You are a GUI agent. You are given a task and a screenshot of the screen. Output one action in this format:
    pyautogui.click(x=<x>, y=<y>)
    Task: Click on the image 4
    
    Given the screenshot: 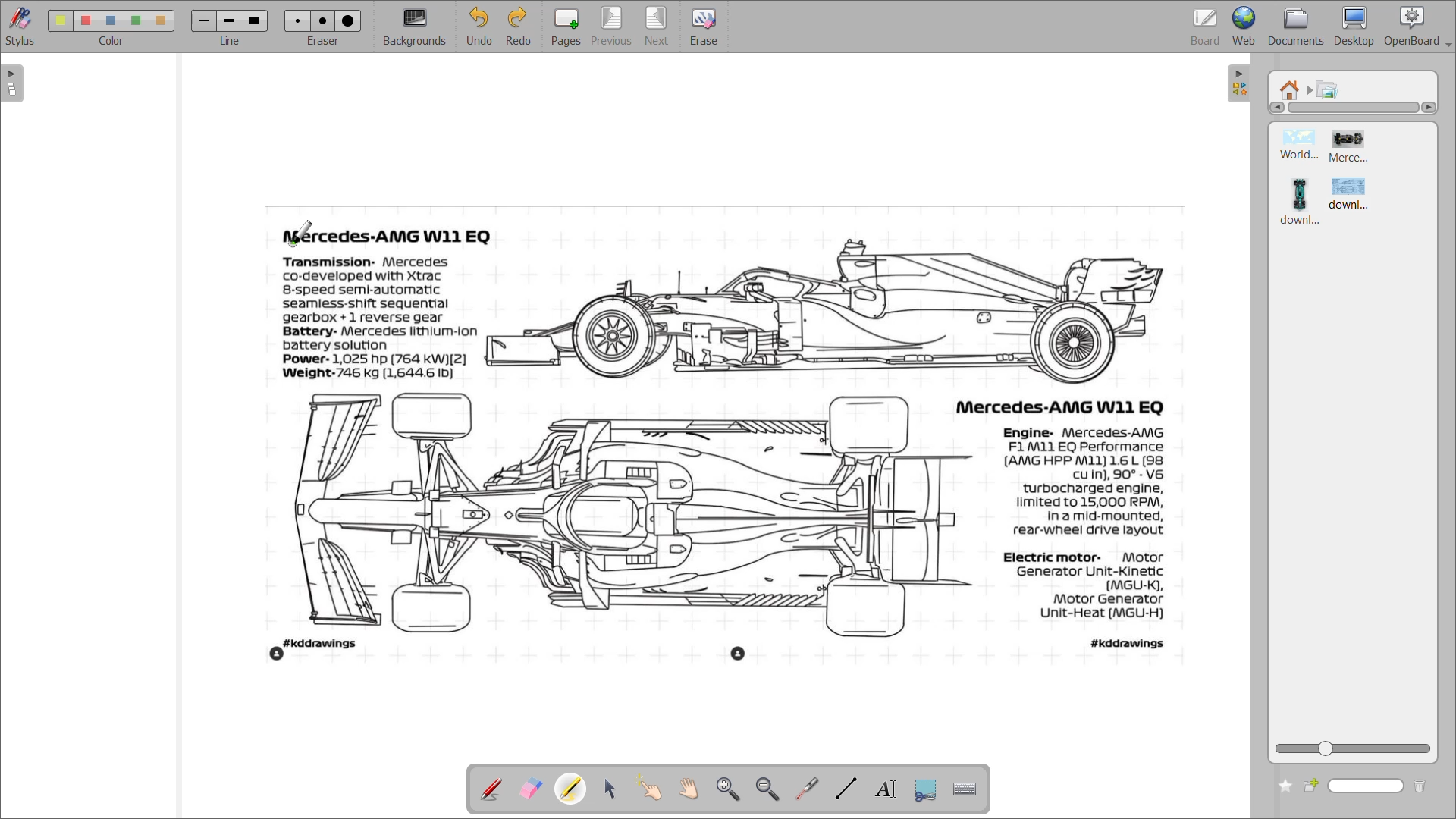 What is the action you would take?
    pyautogui.click(x=1351, y=195)
    